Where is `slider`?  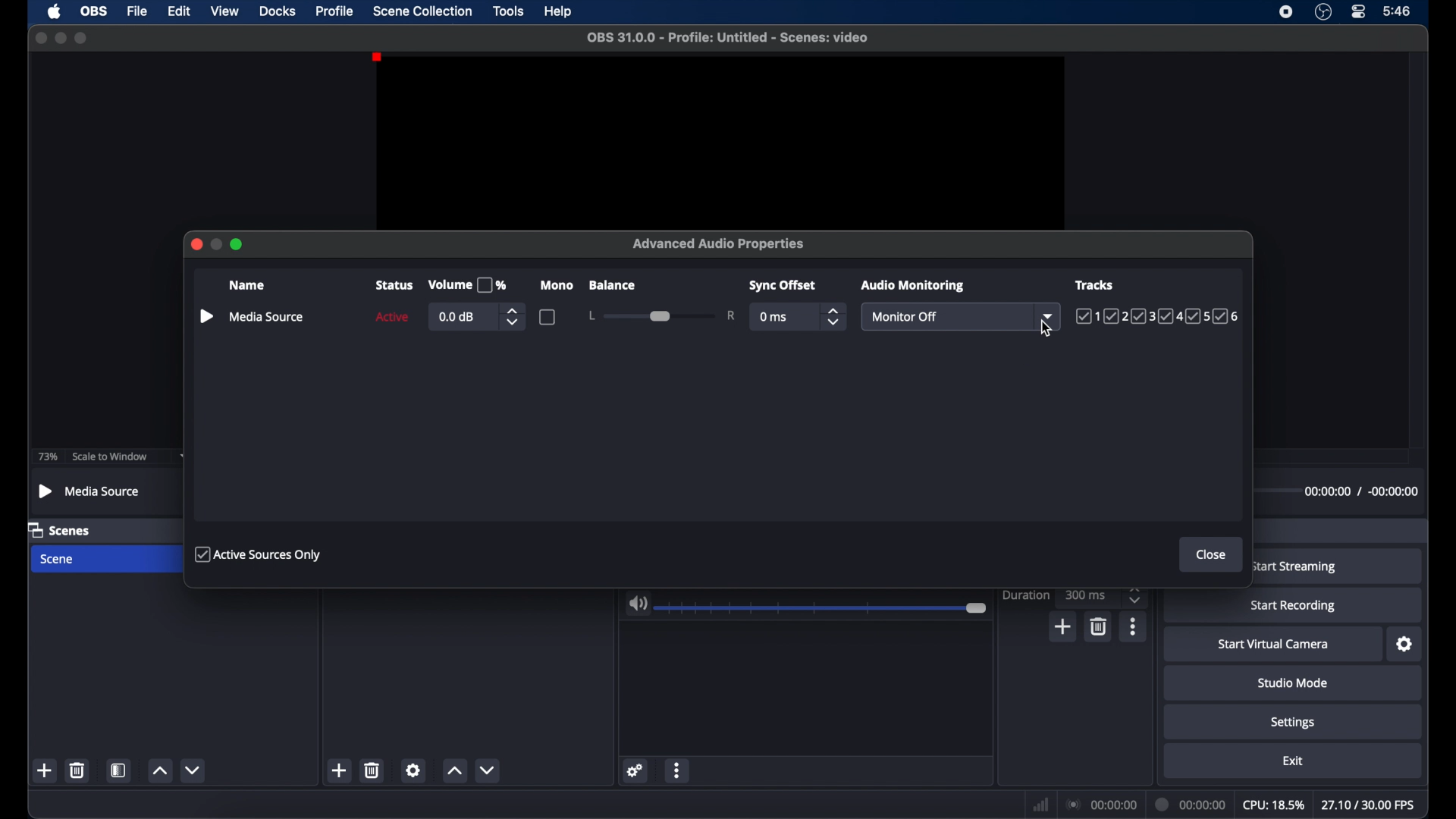
slider is located at coordinates (661, 315).